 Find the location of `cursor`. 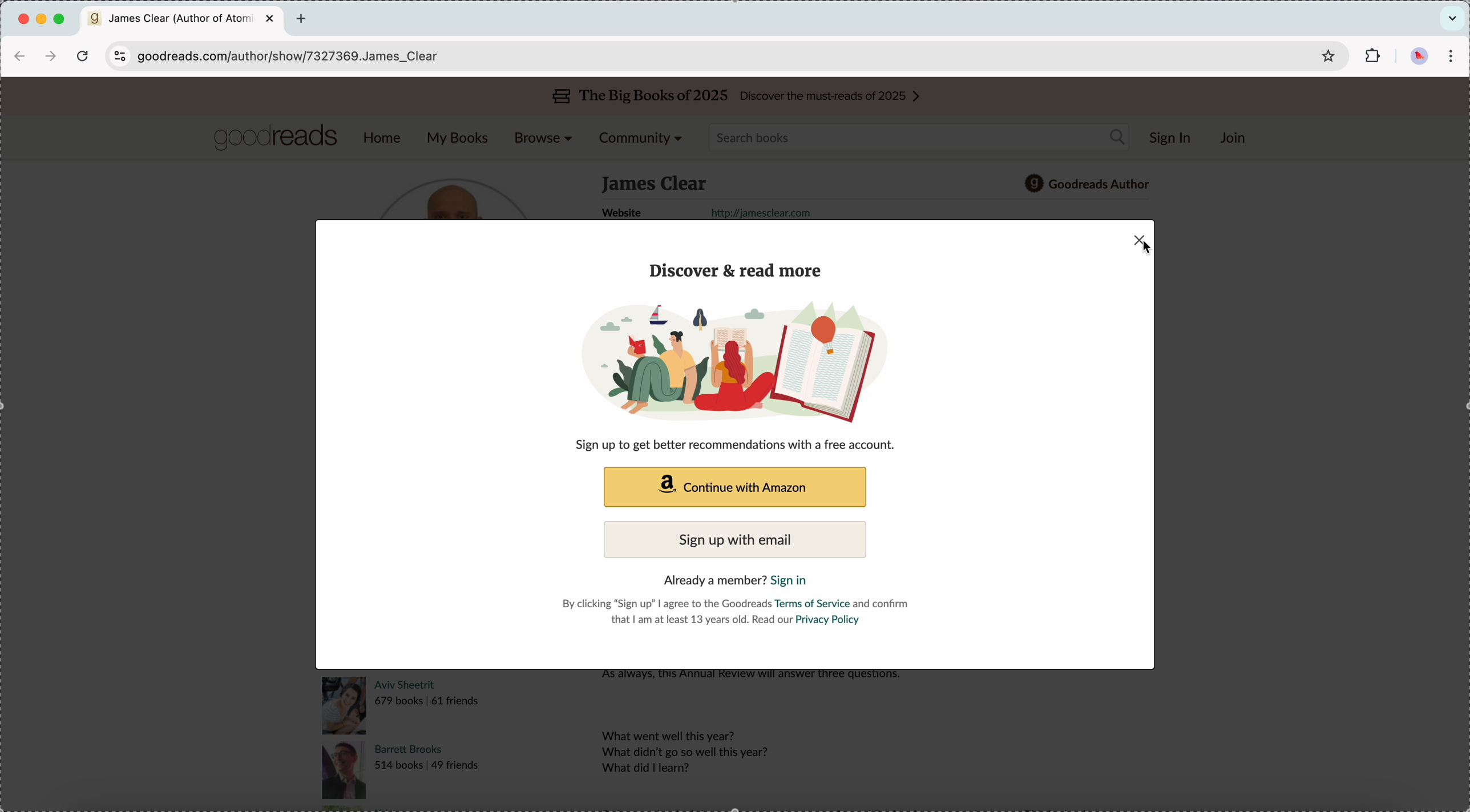

cursor is located at coordinates (1144, 248).